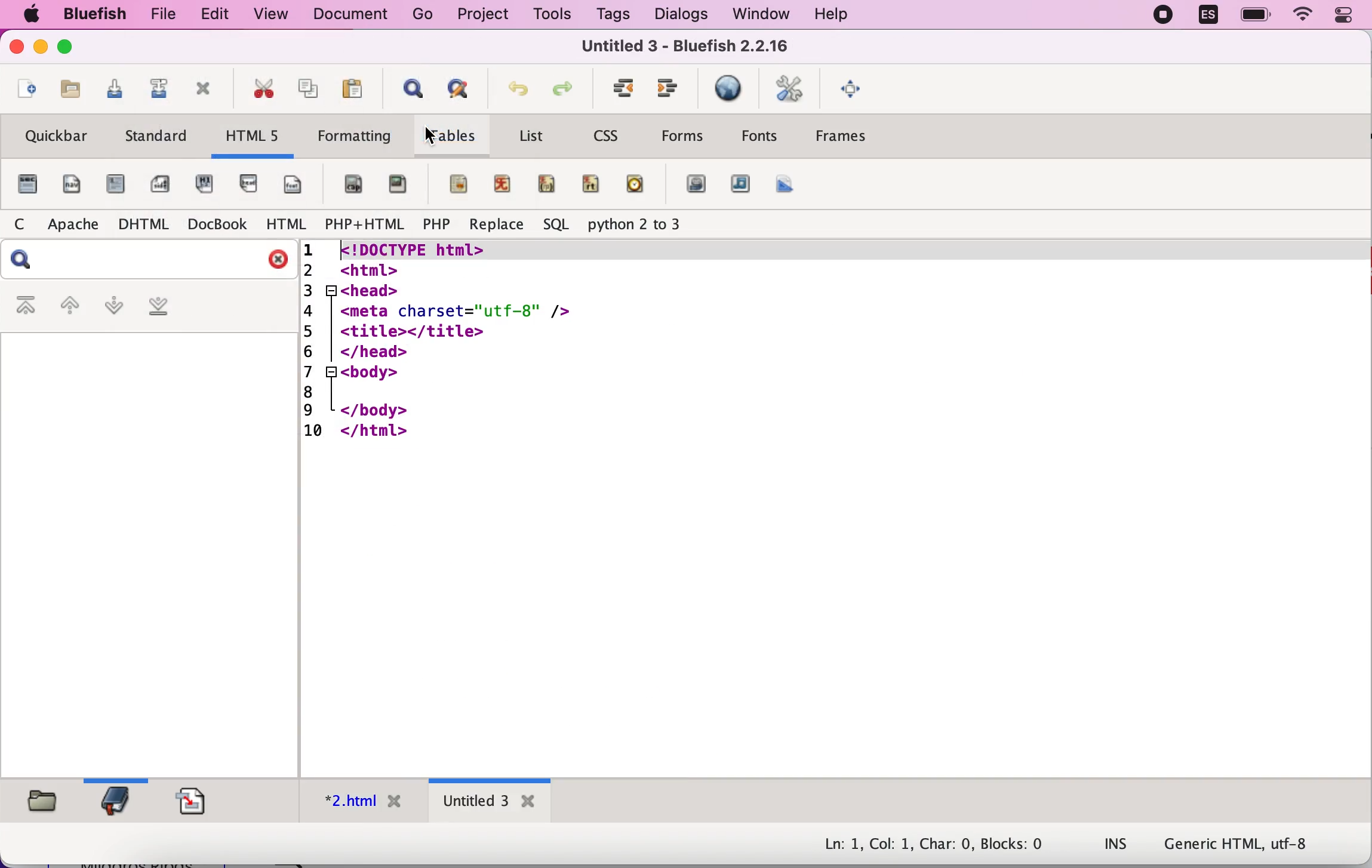 This screenshot has width=1372, height=868. Describe the element at coordinates (152, 92) in the screenshot. I see `save file as` at that location.